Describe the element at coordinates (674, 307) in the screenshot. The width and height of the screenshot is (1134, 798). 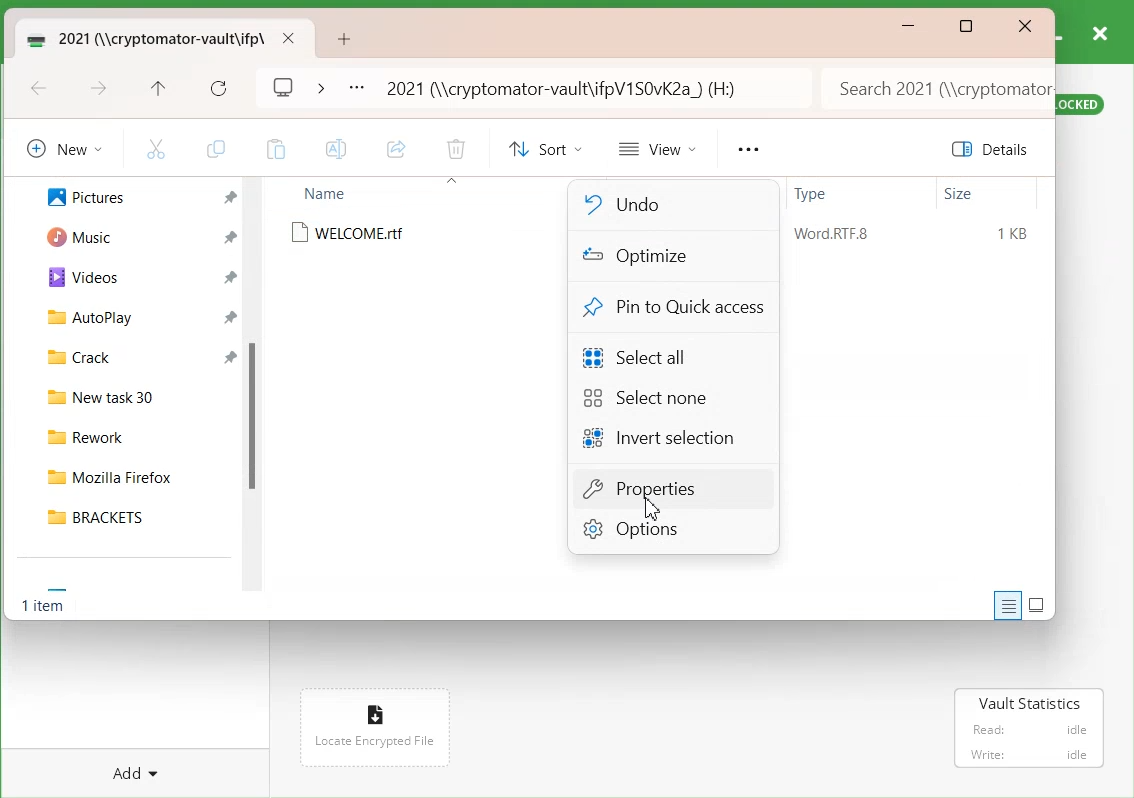
I see `Pin to Quick access` at that location.